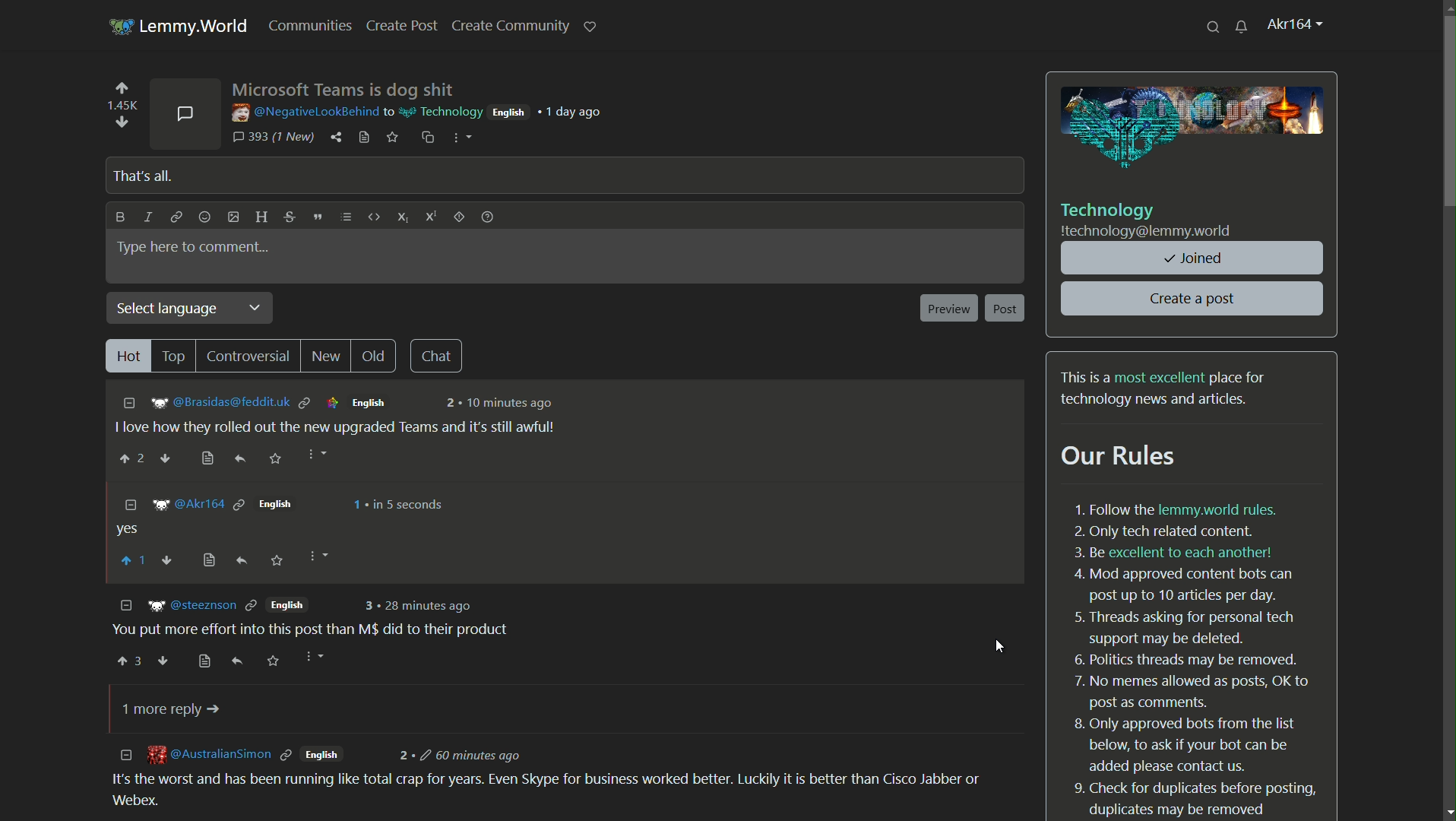 Image resolution: width=1456 pixels, height=821 pixels. I want to click on upvote, so click(122, 90).